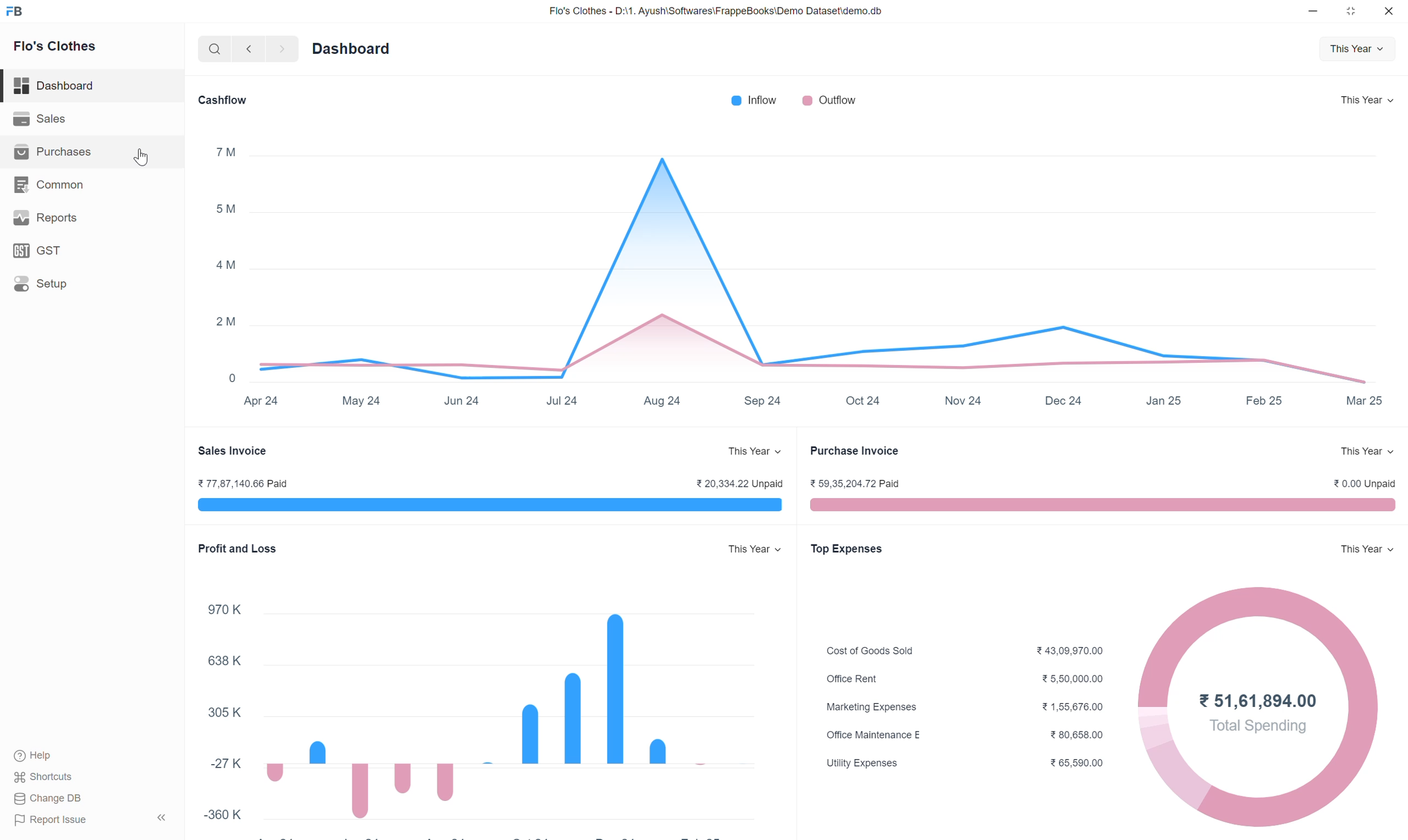 Image resolution: width=1408 pixels, height=840 pixels. What do you see at coordinates (1103, 504) in the screenshot?
I see `paid/unpaid` at bounding box center [1103, 504].